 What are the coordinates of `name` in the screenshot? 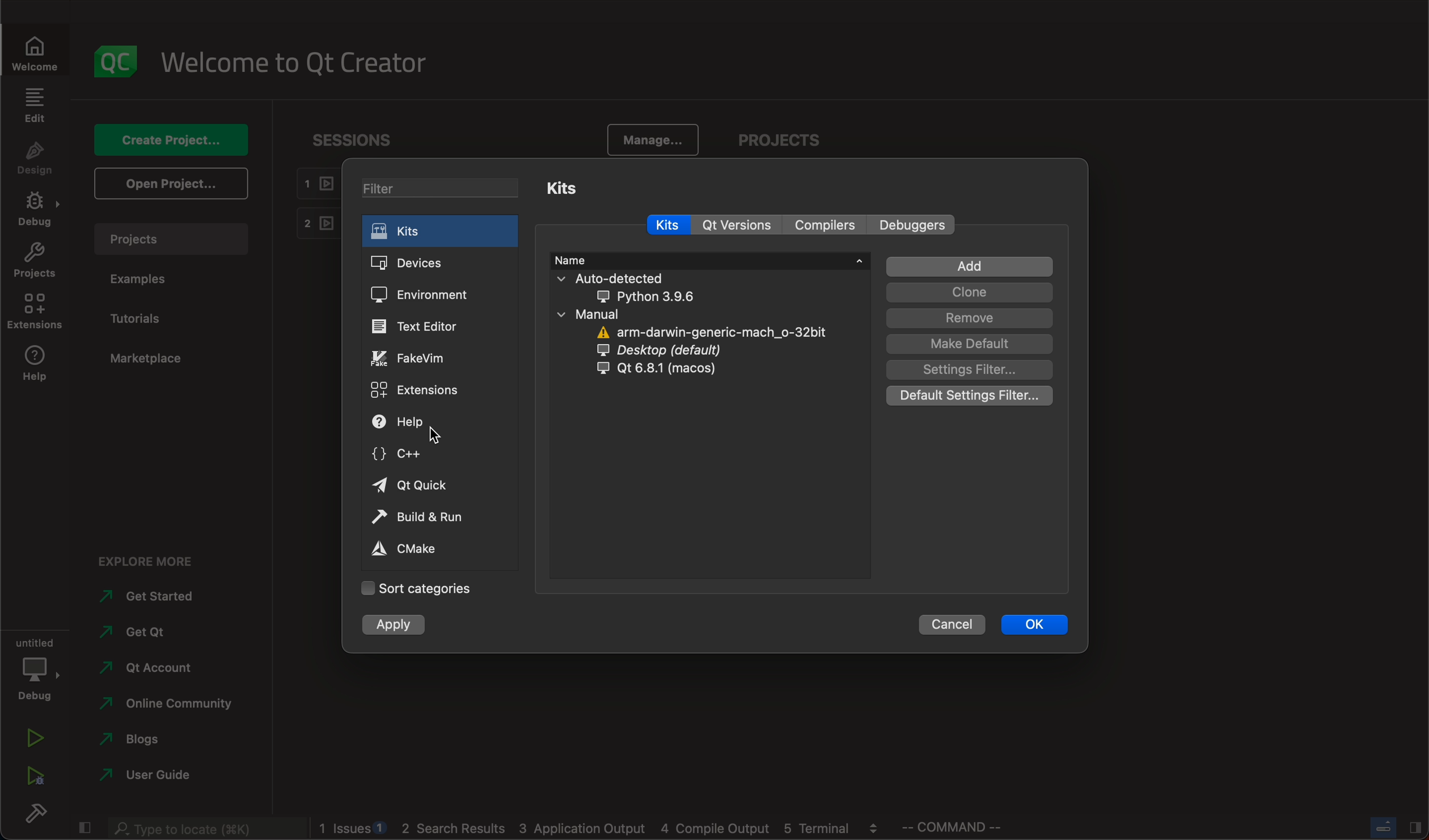 It's located at (708, 260).